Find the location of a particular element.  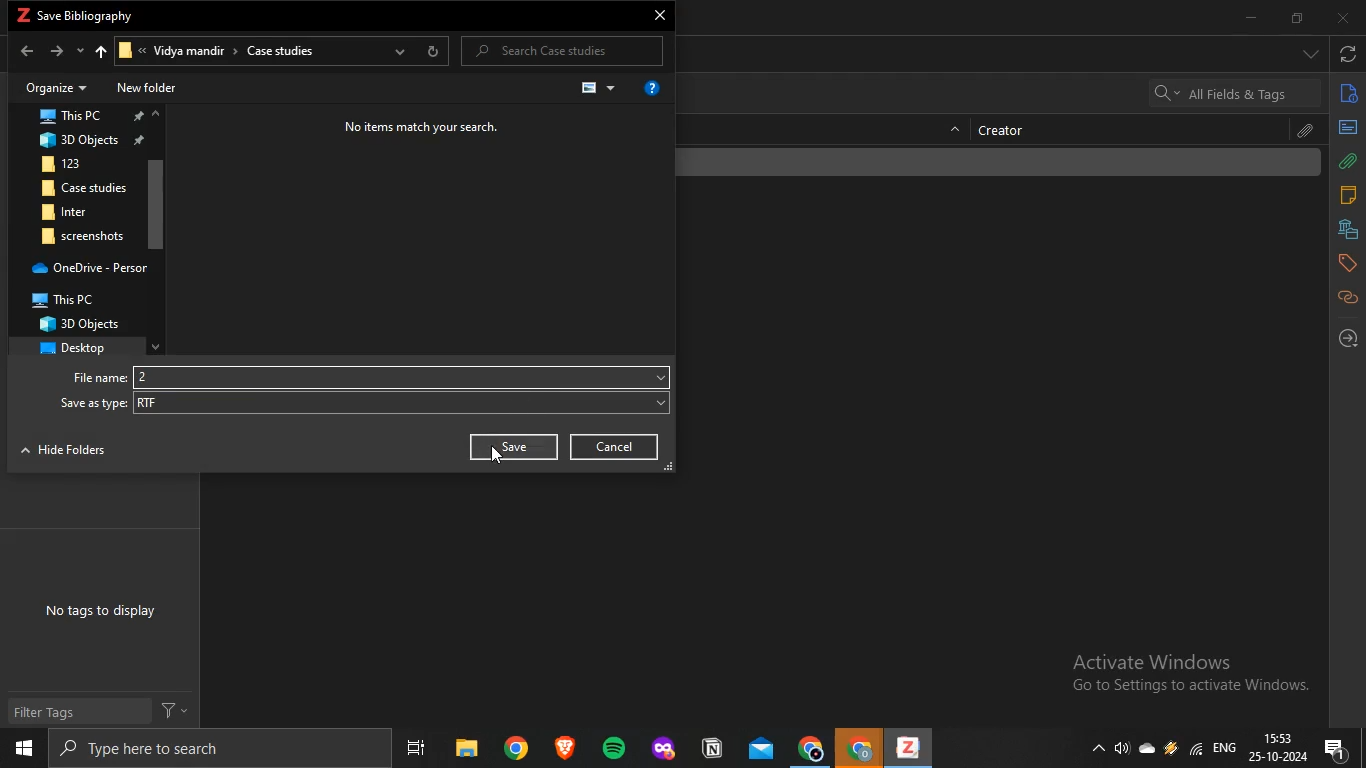

tags is located at coordinates (1348, 262).